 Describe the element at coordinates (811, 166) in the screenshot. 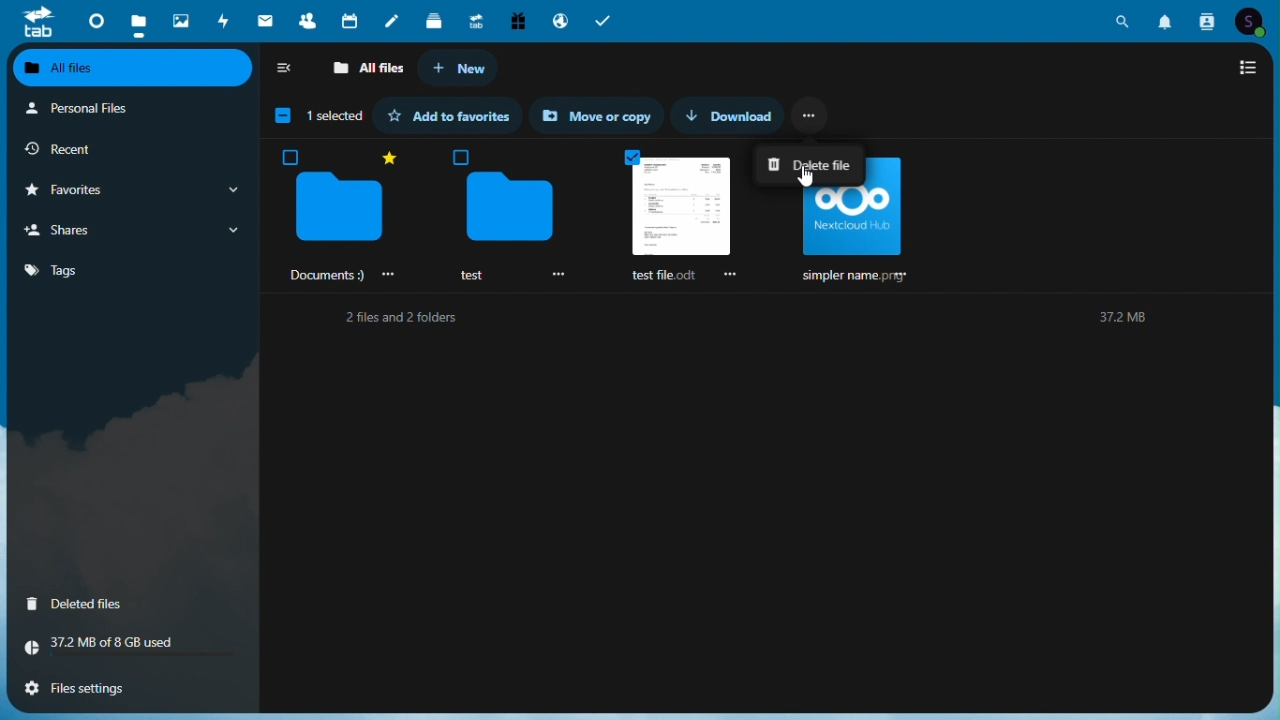

I see `Delete file` at that location.